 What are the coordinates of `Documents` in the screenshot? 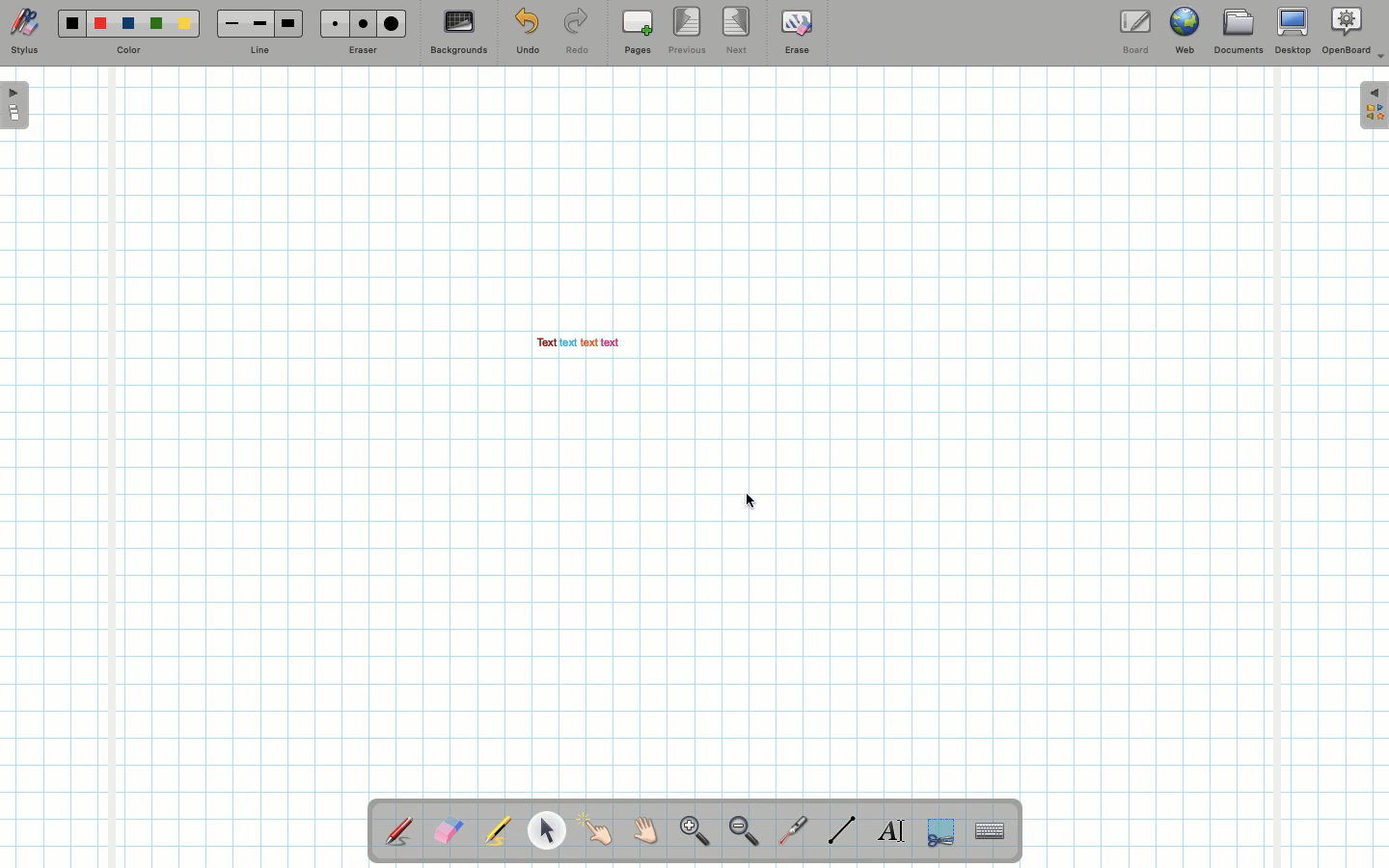 It's located at (1238, 34).